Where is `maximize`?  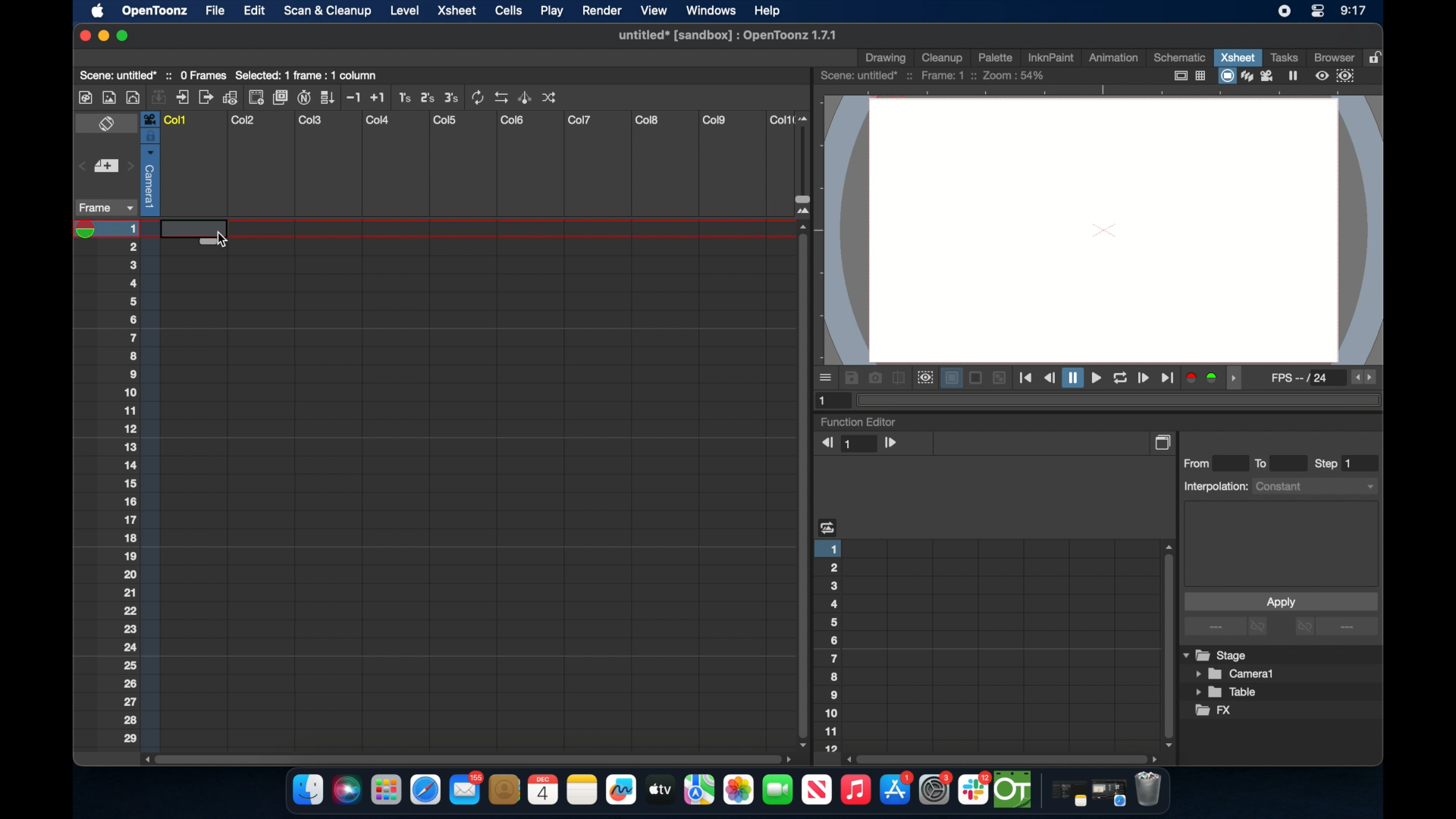 maximize is located at coordinates (124, 36).